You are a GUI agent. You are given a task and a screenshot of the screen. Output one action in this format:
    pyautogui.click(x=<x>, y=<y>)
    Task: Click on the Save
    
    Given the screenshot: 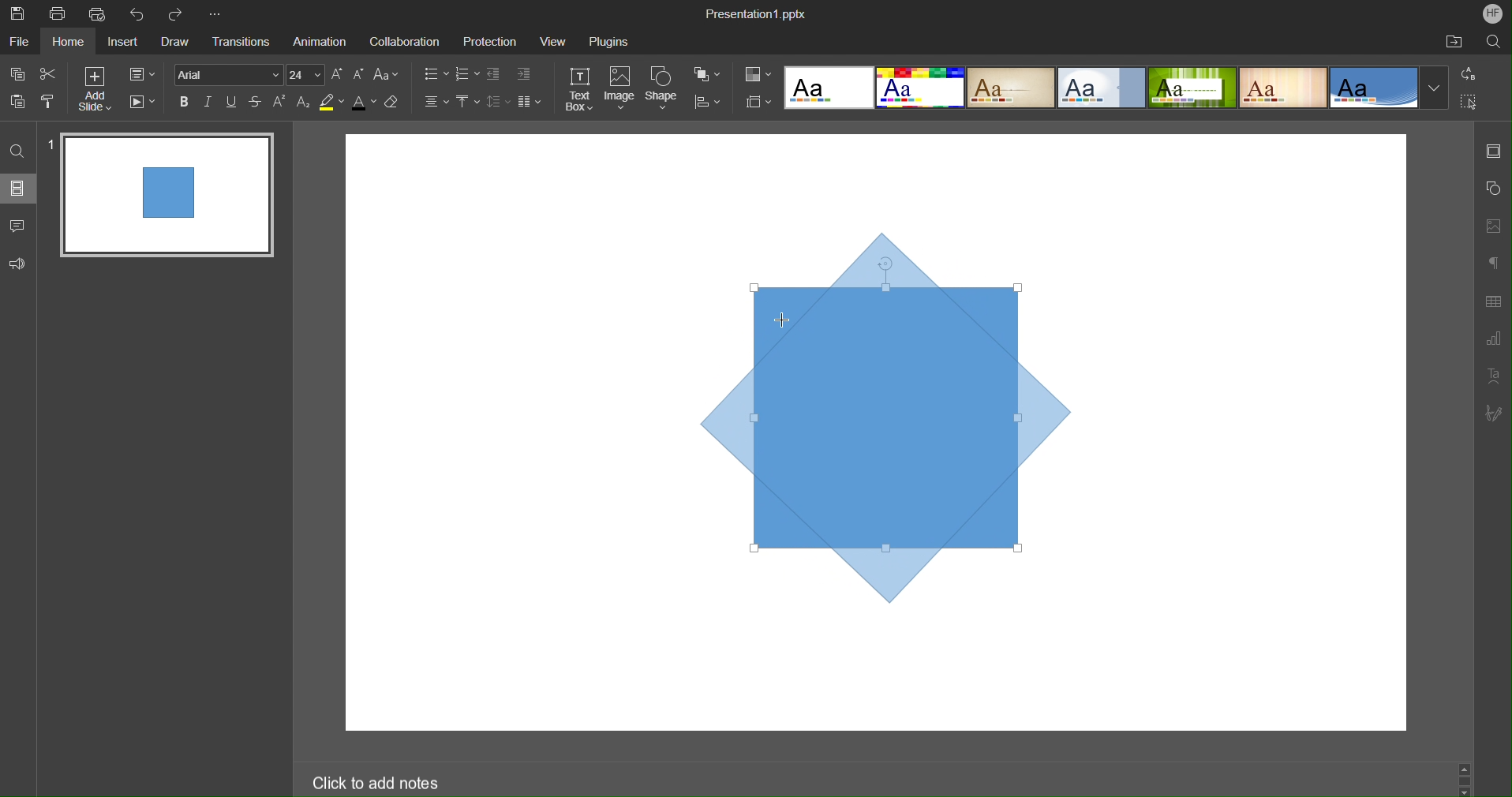 What is the action you would take?
    pyautogui.click(x=25, y=15)
    